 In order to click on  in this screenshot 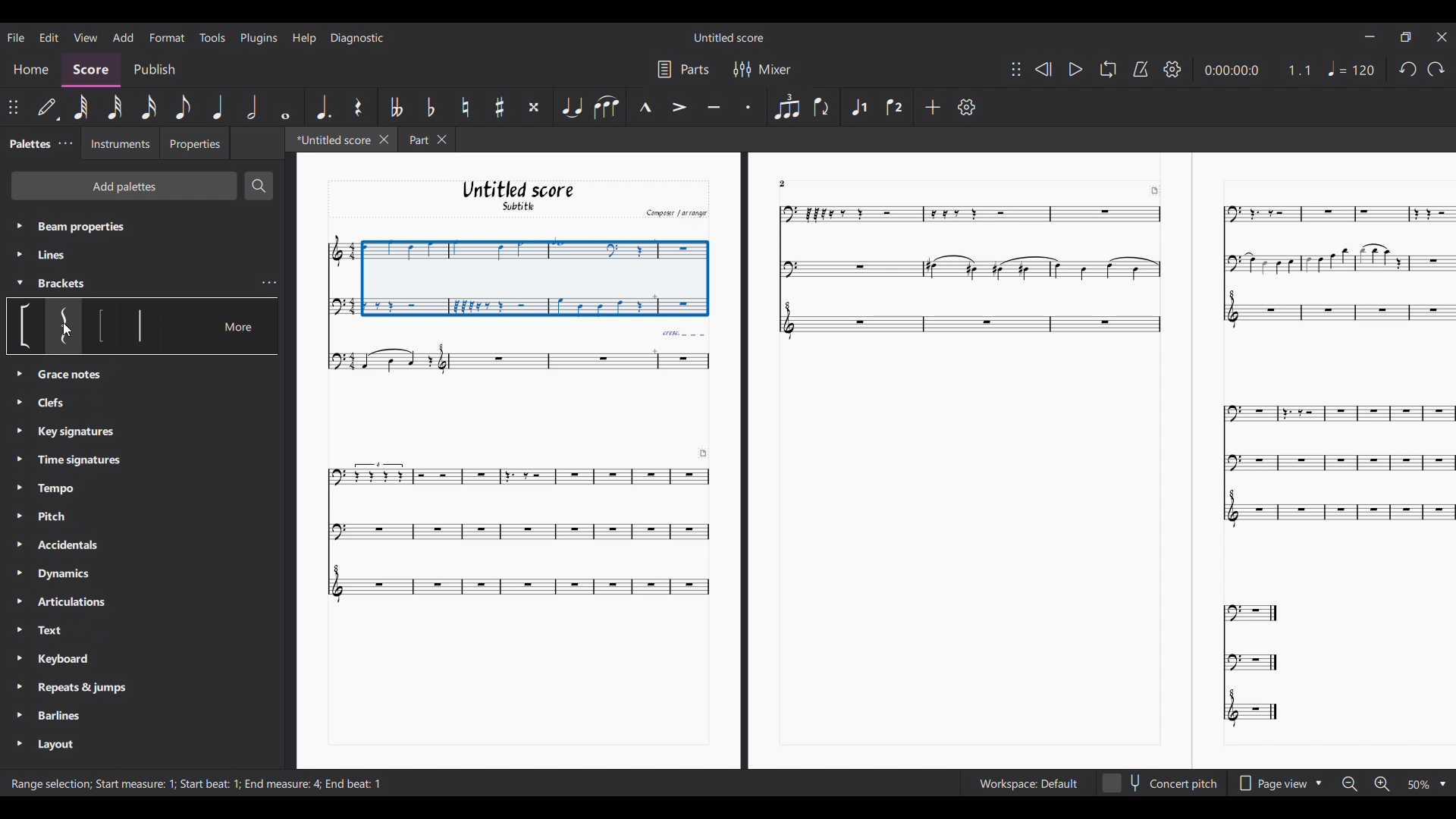, I will do `click(1338, 212)`.